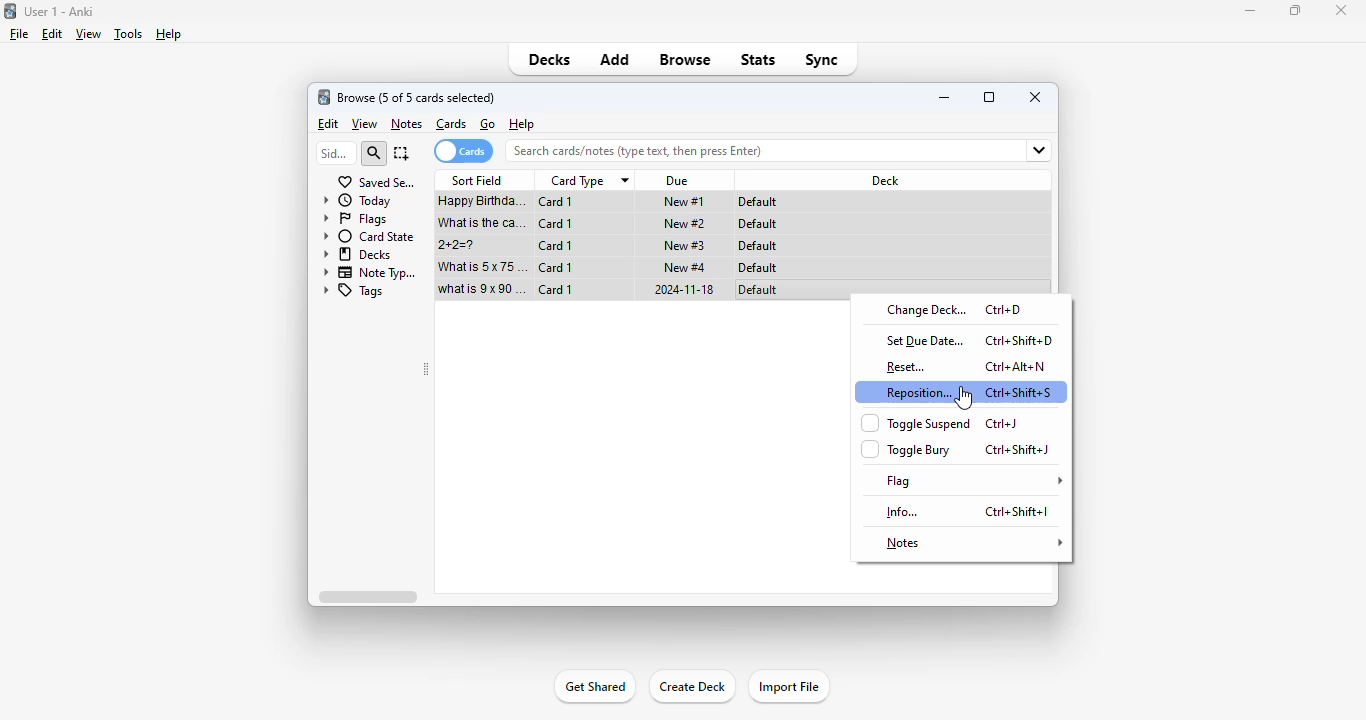  What do you see at coordinates (323, 97) in the screenshot?
I see `logo` at bounding box center [323, 97].